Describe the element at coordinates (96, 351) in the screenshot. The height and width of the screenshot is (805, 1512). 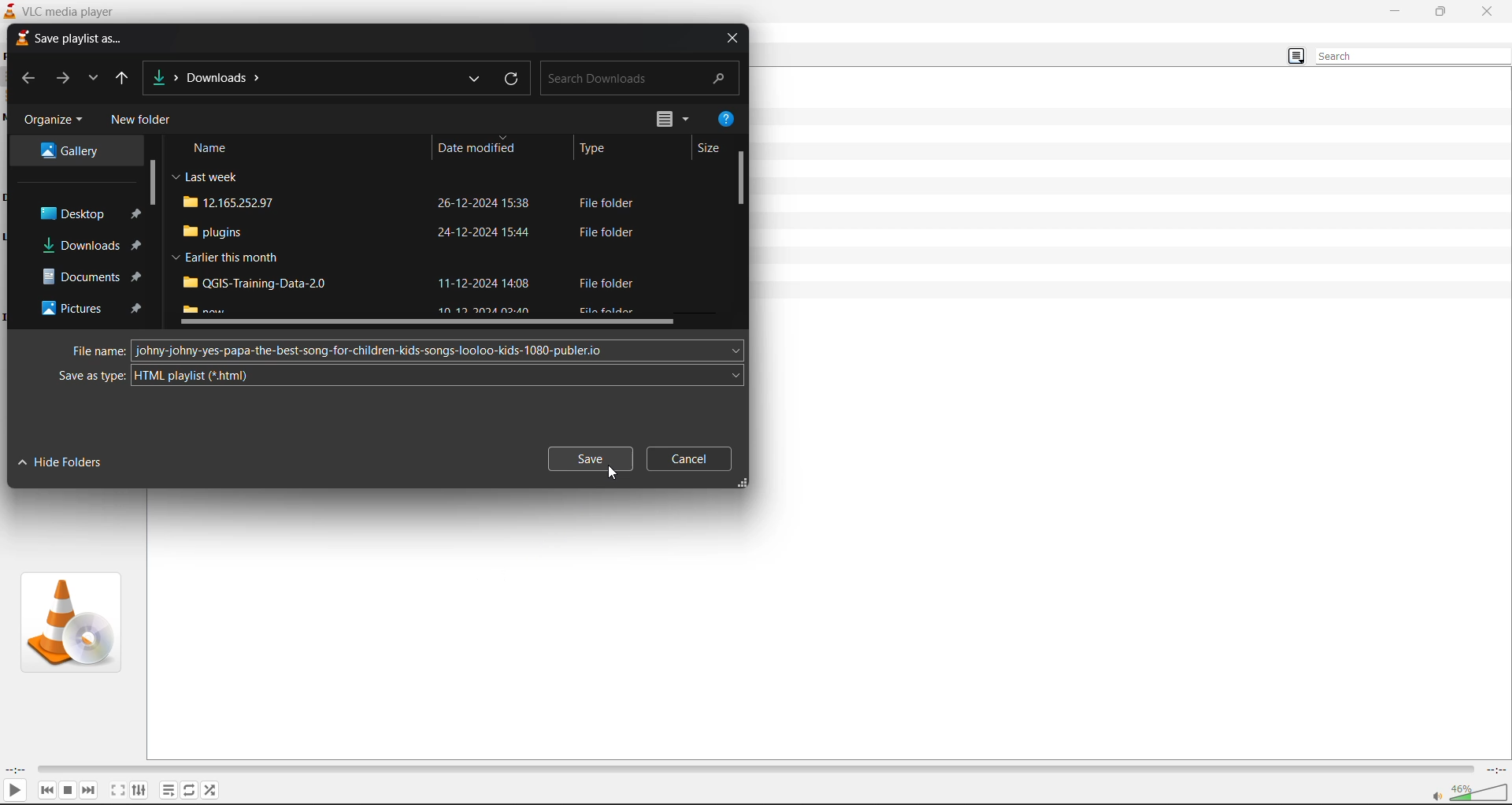
I see `file name` at that location.